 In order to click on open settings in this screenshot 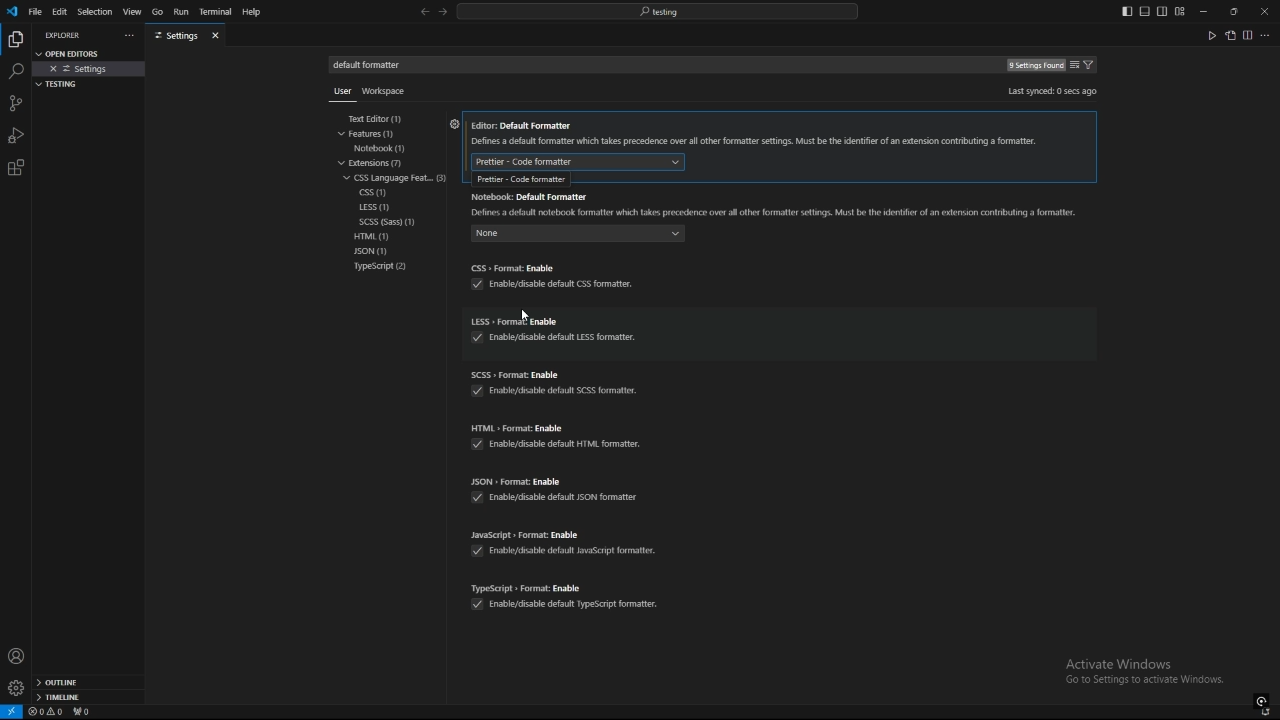, I will do `click(74, 52)`.